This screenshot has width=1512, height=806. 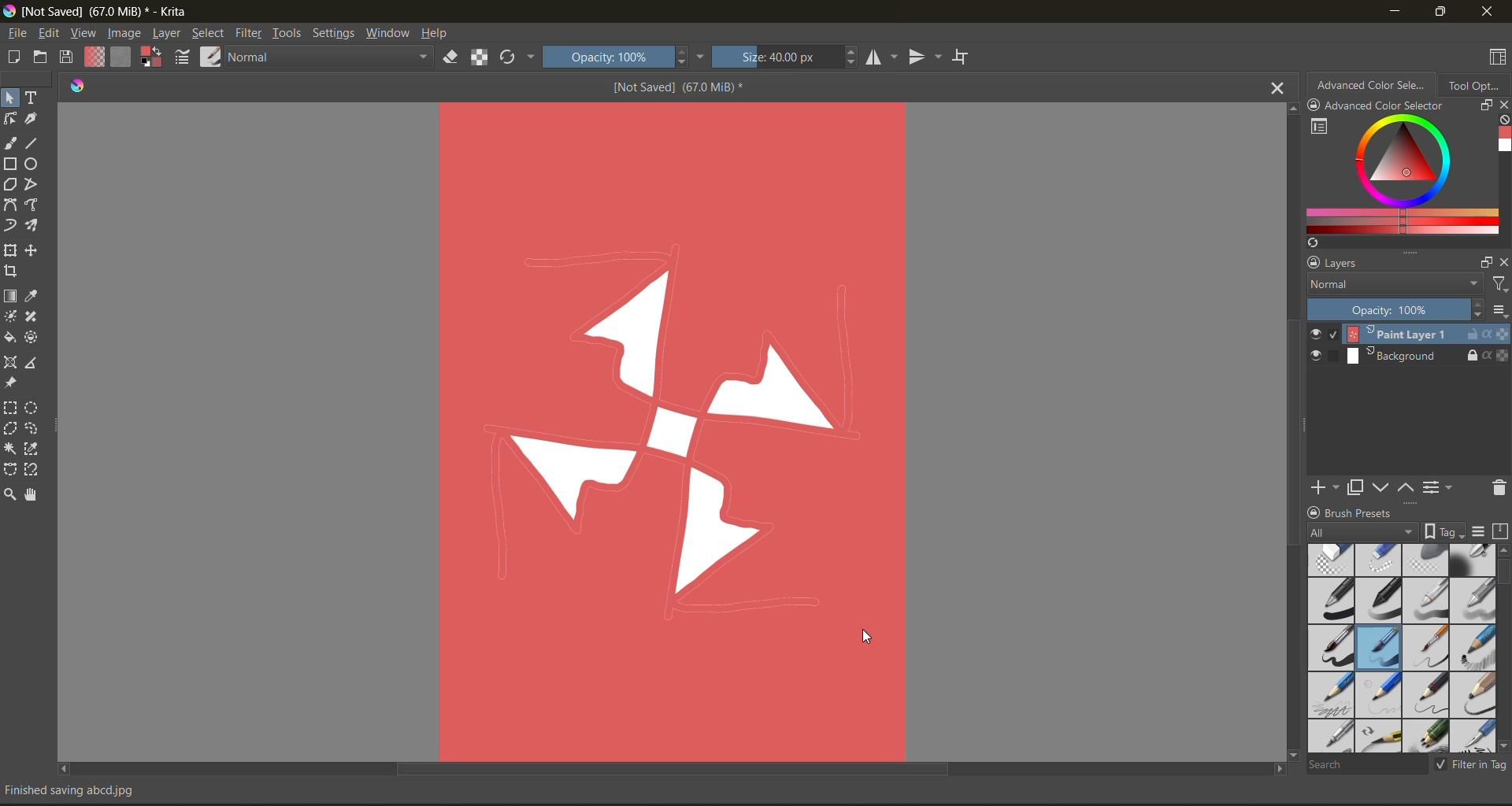 I want to click on advanced color selector, so click(x=1374, y=87).